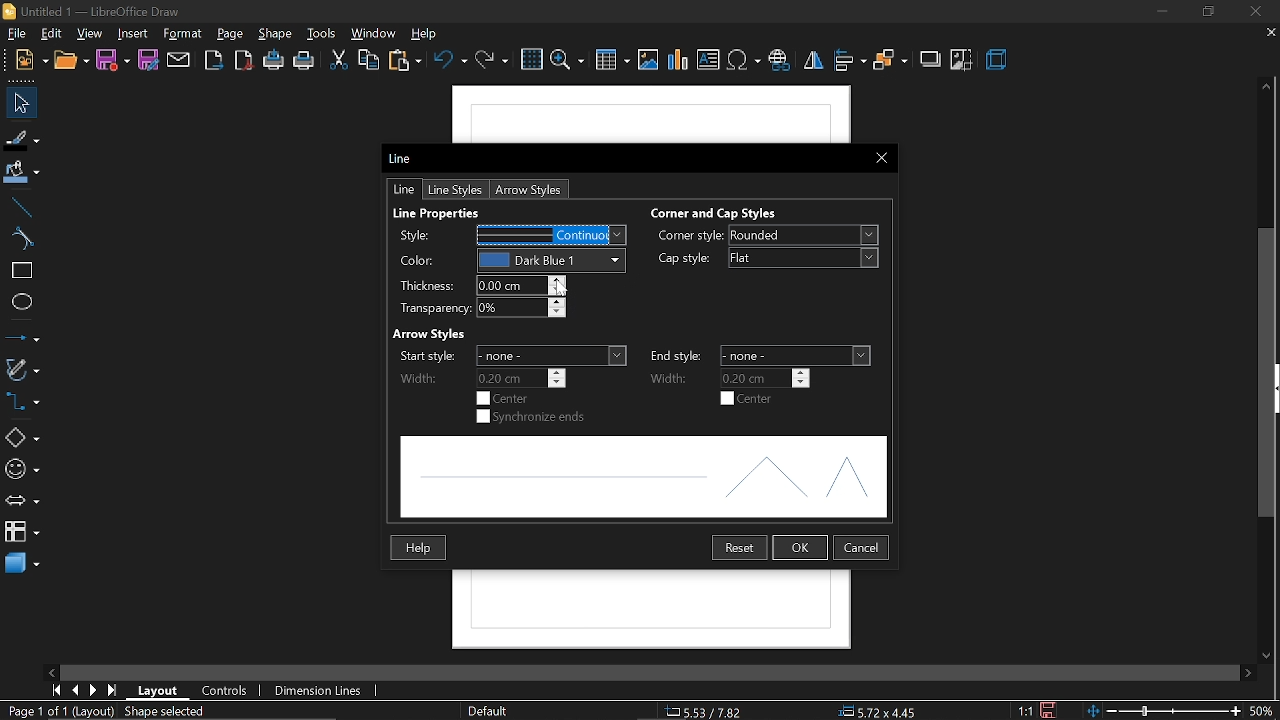  What do you see at coordinates (15, 32) in the screenshot?
I see `file` at bounding box center [15, 32].